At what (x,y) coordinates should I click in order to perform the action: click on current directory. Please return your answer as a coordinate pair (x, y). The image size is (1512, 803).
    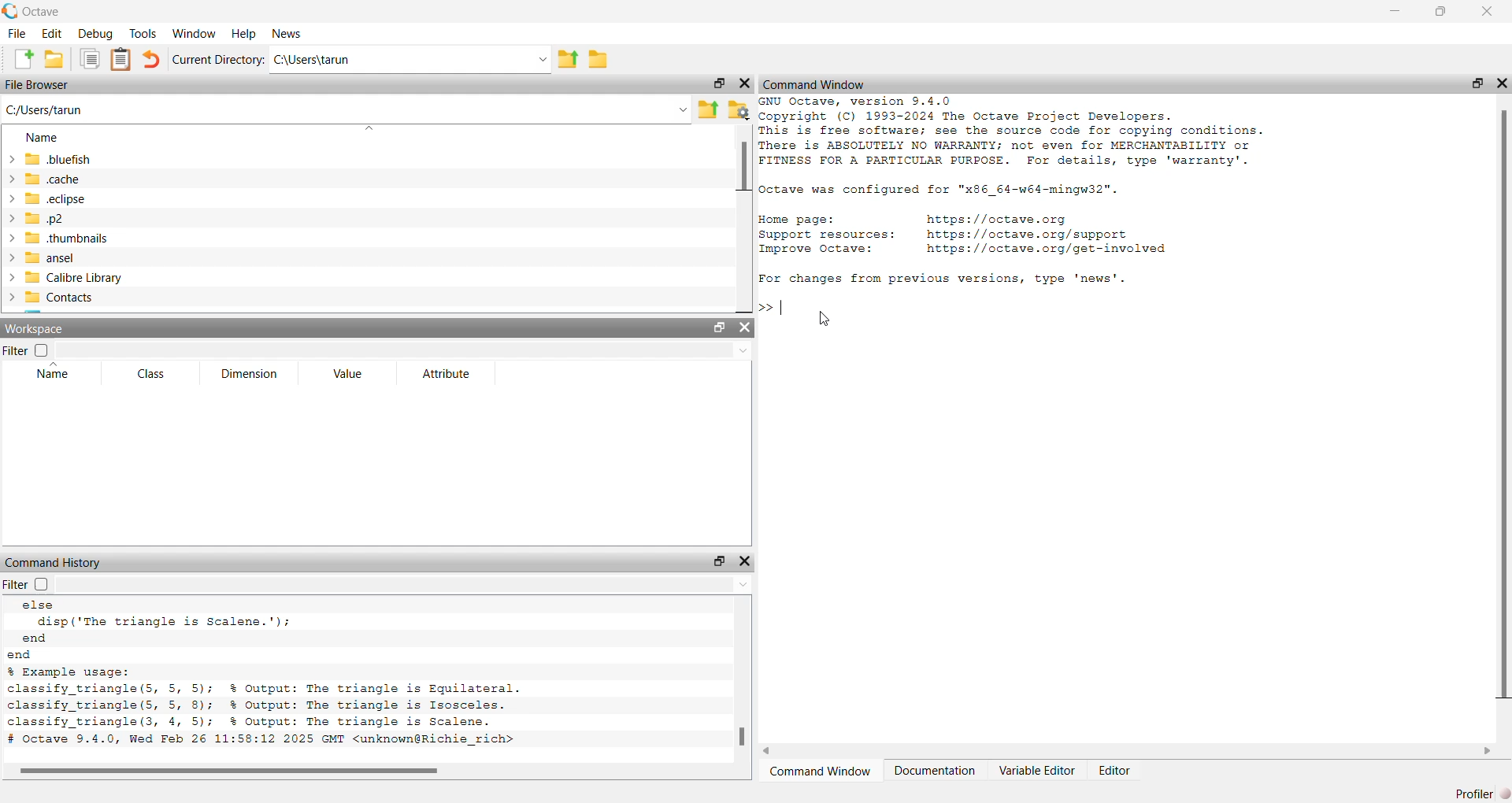
    Looking at the image, I should click on (220, 59).